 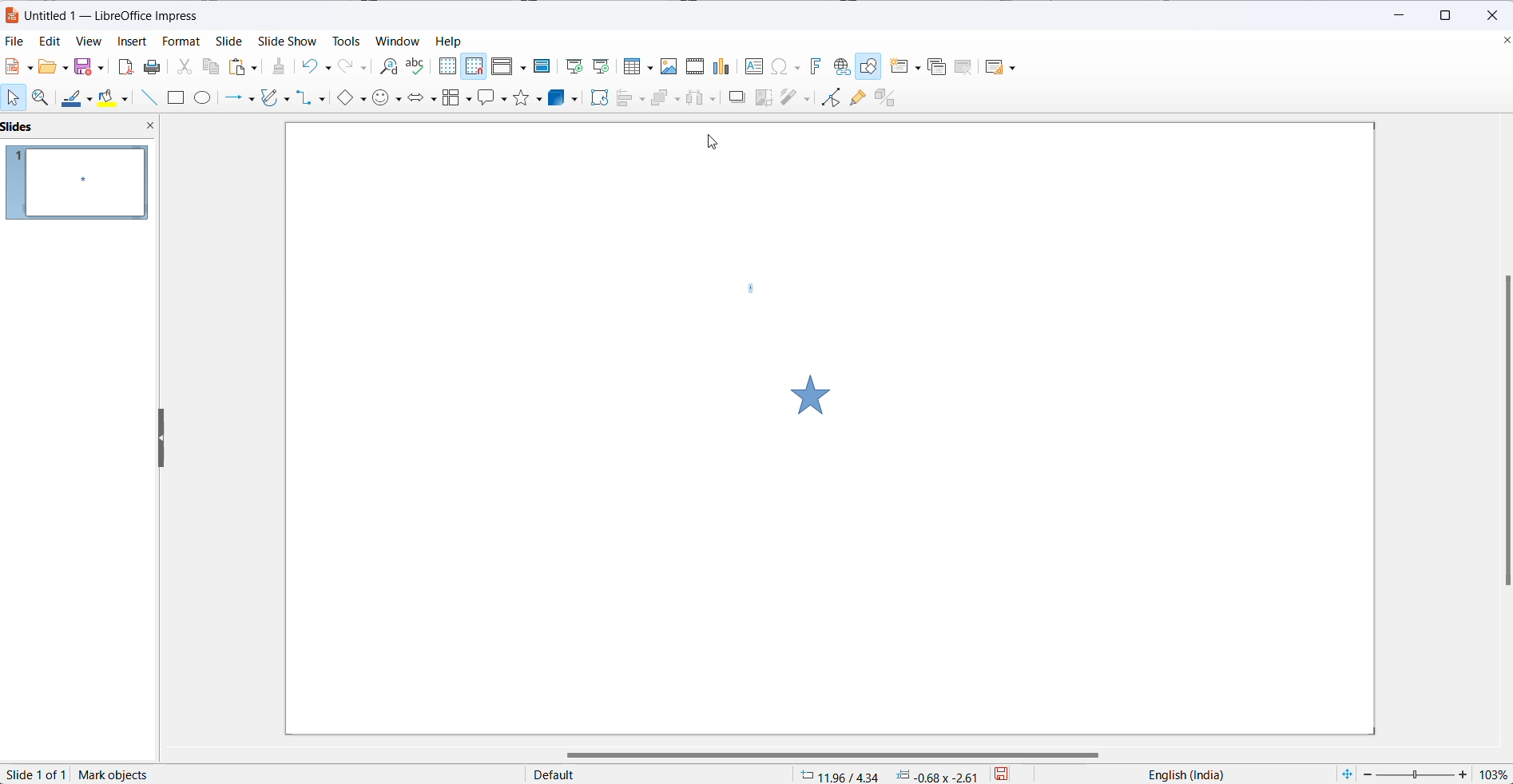 What do you see at coordinates (287, 41) in the screenshot?
I see `slide show` at bounding box center [287, 41].